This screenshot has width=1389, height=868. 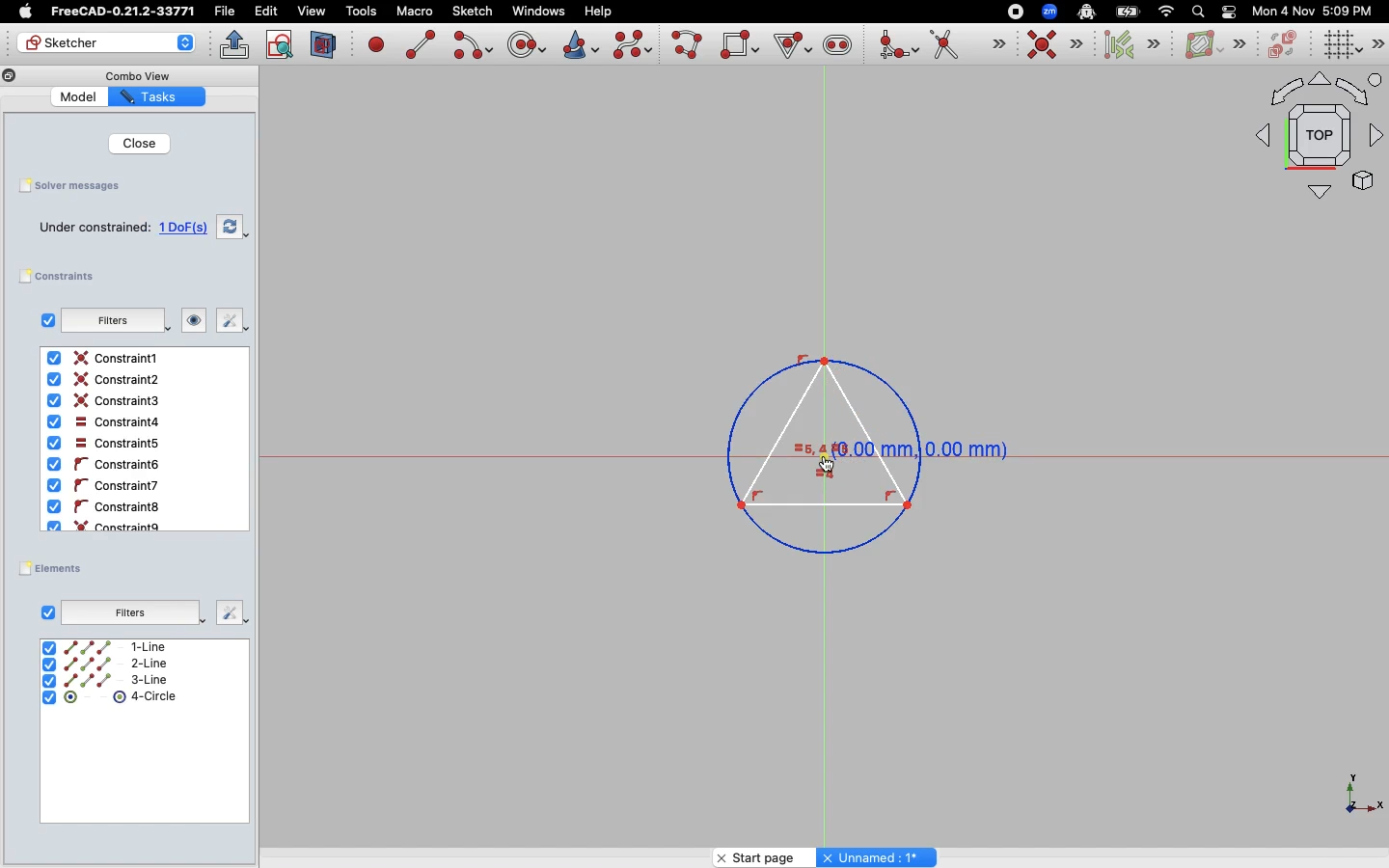 What do you see at coordinates (135, 143) in the screenshot?
I see `Close` at bounding box center [135, 143].